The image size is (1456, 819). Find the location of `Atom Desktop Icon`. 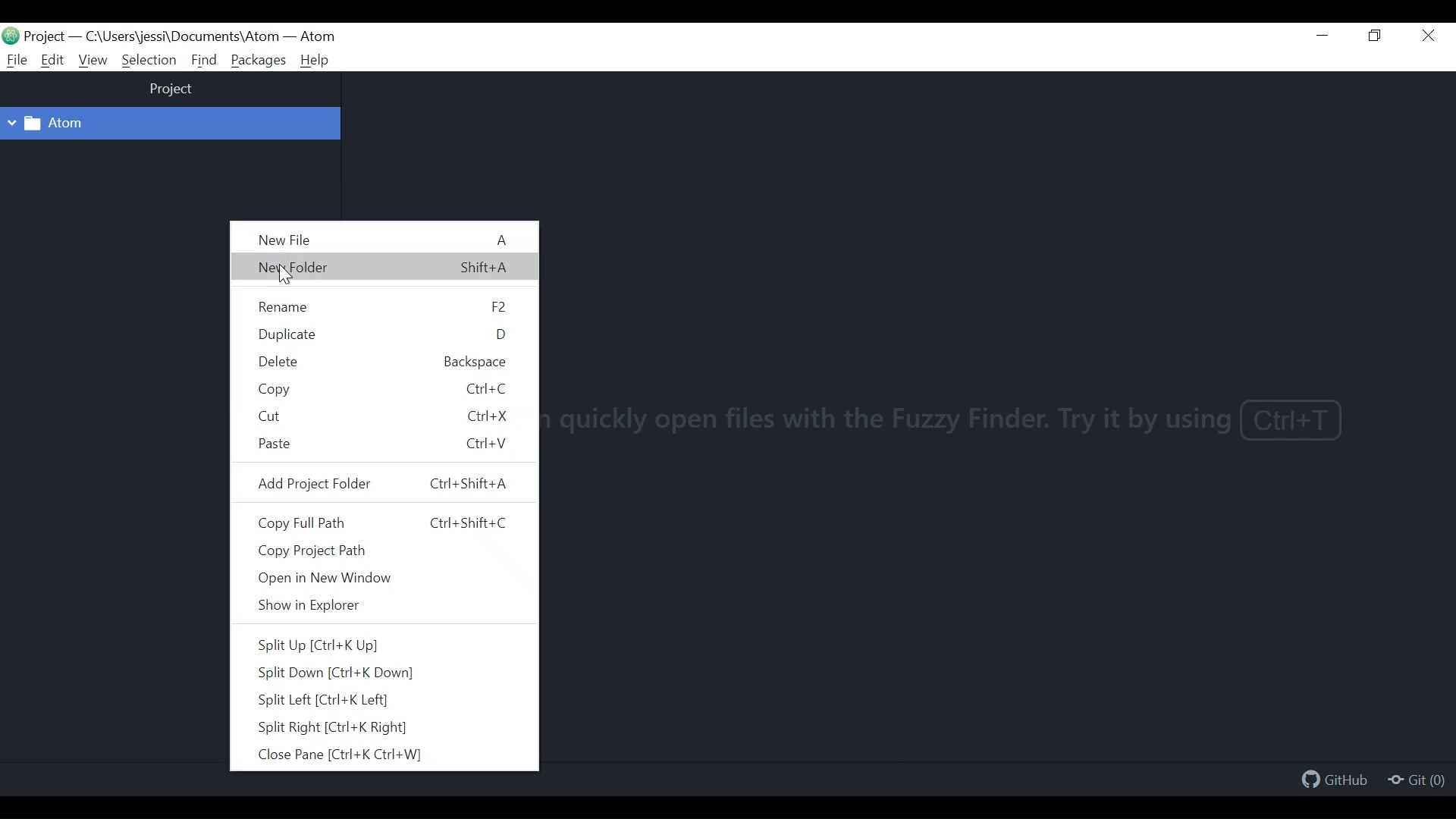

Atom Desktop Icon is located at coordinates (11, 35).